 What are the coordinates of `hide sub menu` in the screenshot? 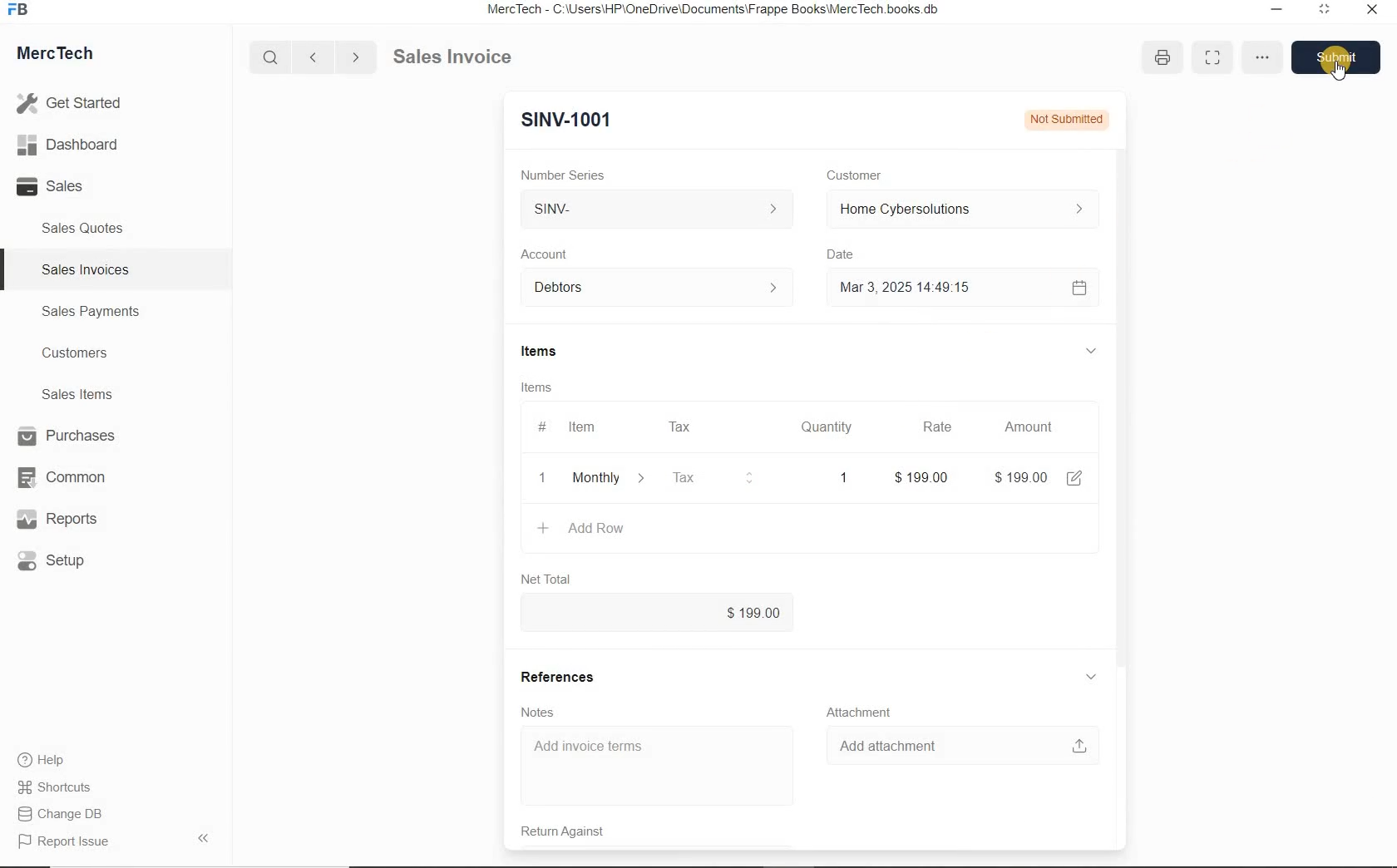 It's located at (1091, 678).